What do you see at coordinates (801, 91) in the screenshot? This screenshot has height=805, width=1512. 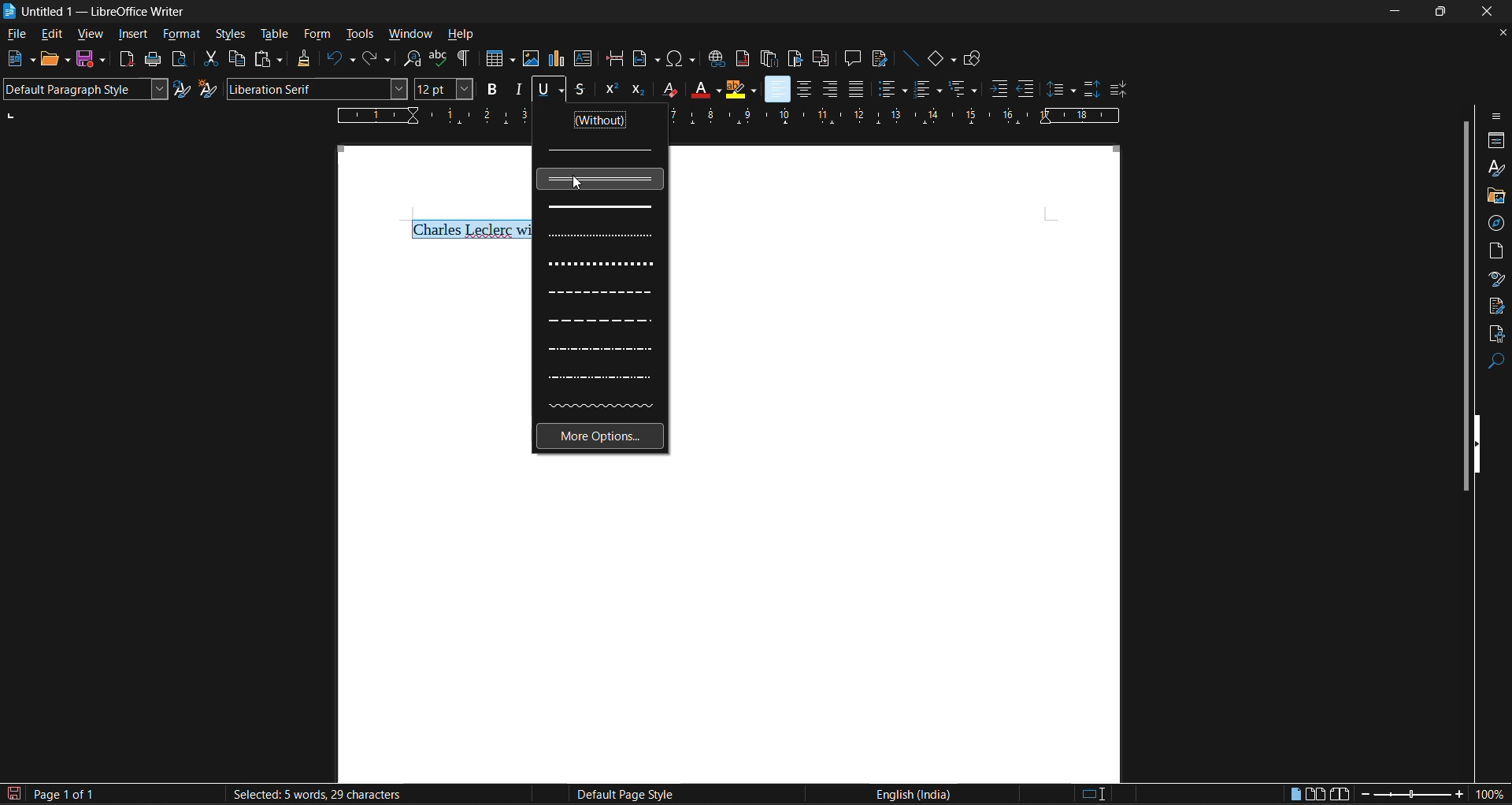 I see `align center` at bounding box center [801, 91].